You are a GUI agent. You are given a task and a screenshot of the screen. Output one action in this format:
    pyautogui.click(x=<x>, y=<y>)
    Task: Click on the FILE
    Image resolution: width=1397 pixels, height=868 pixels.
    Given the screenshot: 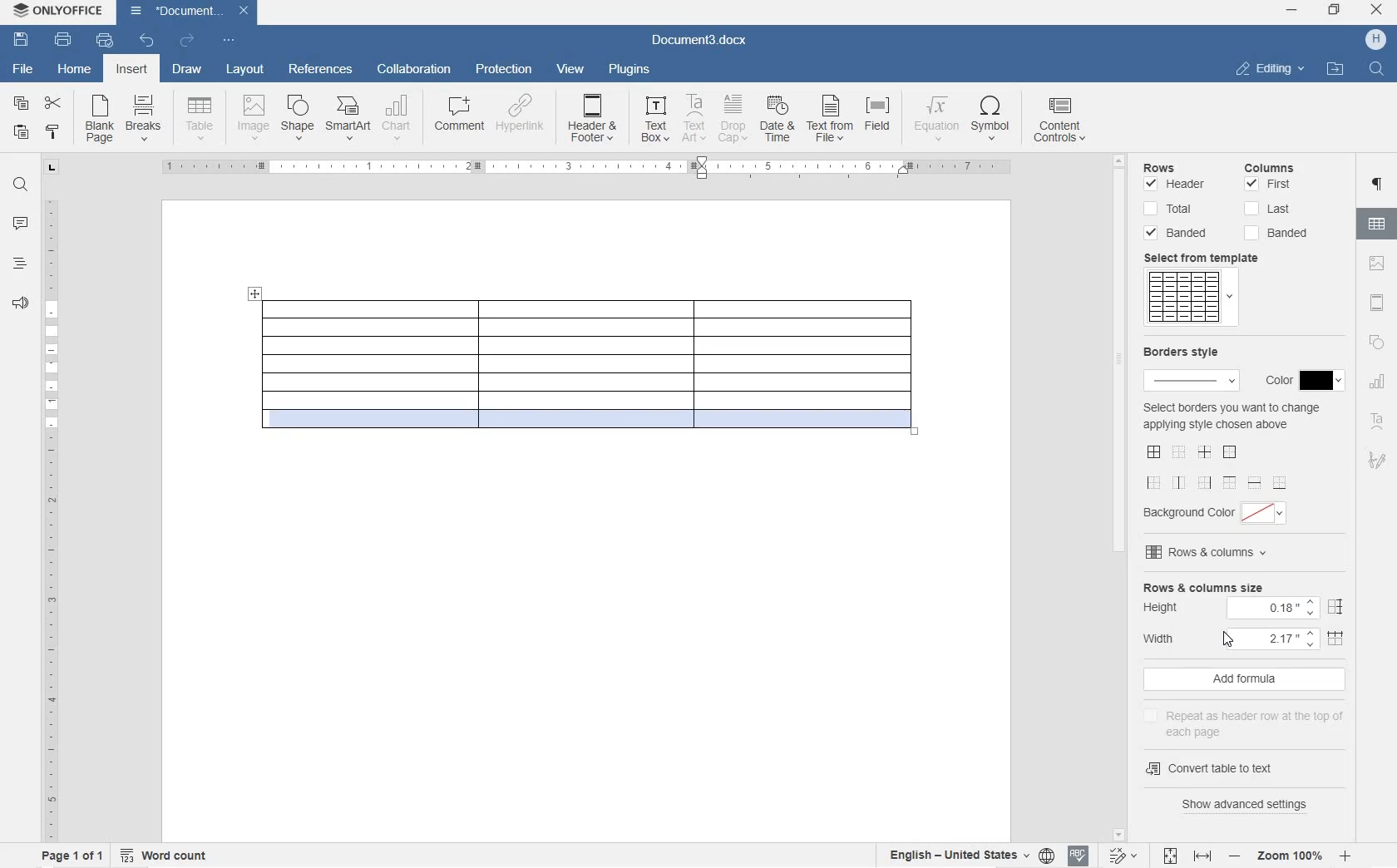 What is the action you would take?
    pyautogui.click(x=25, y=70)
    